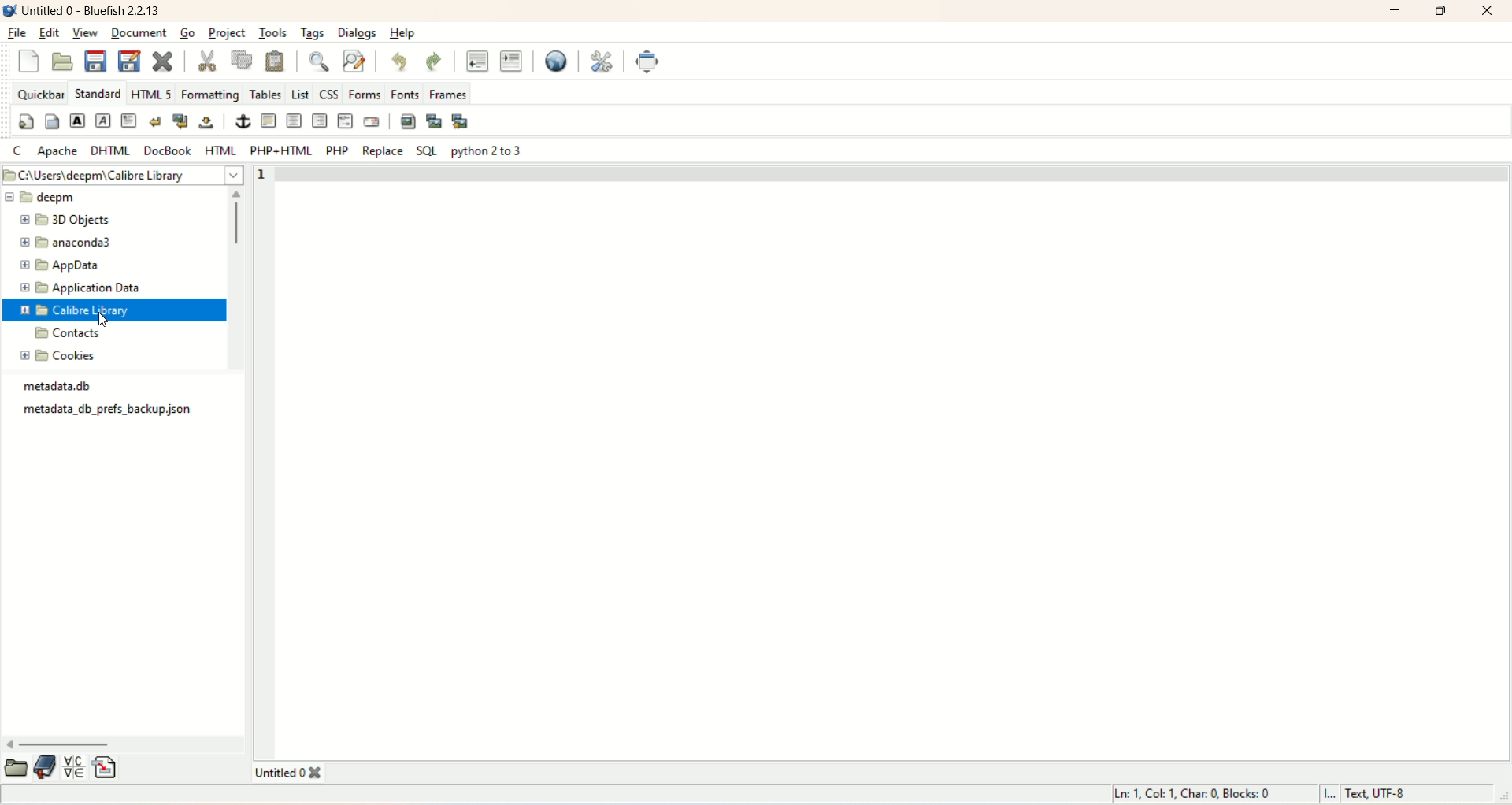  Describe the element at coordinates (1193, 793) in the screenshot. I see `ln, col, char, blocks` at that location.